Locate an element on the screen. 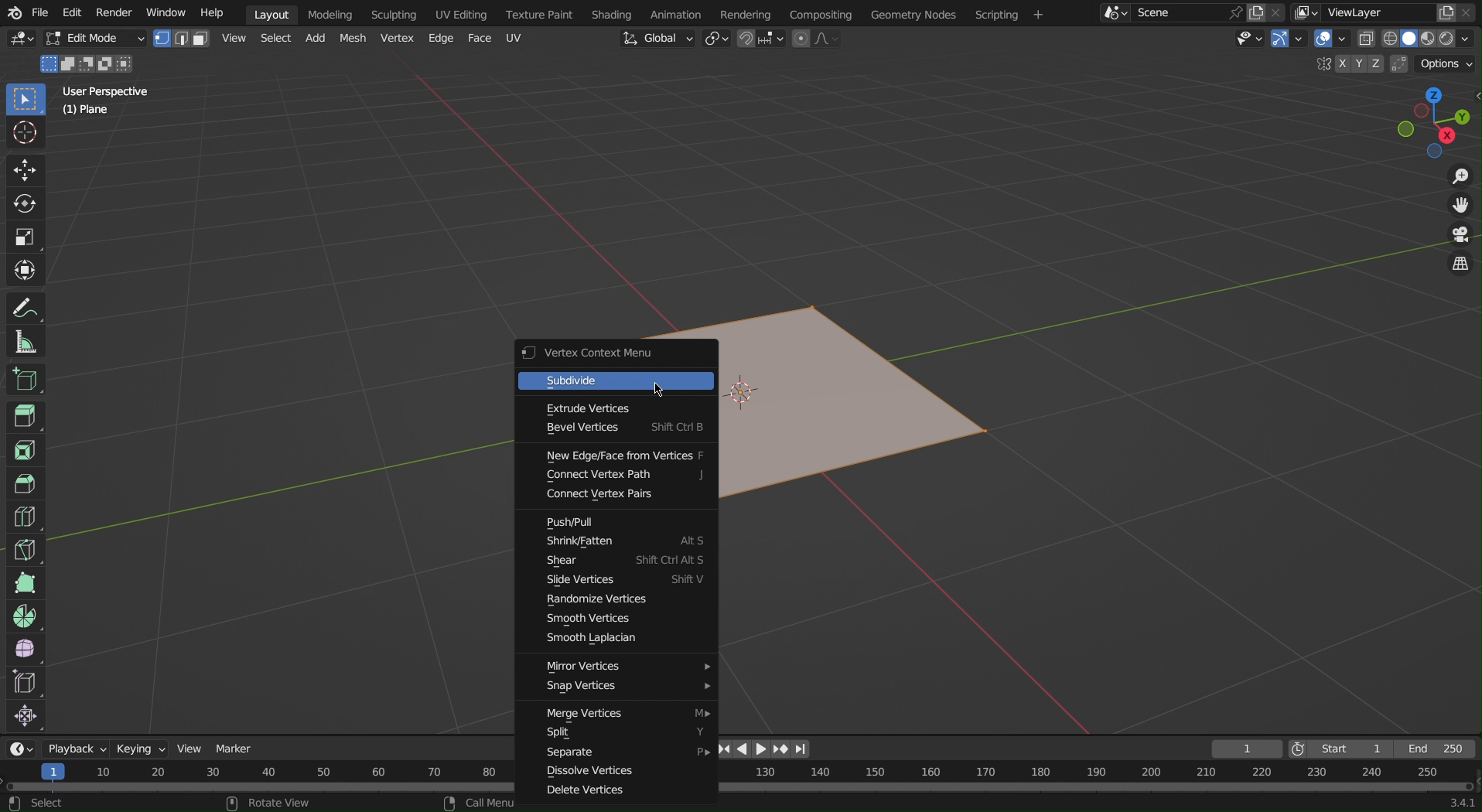  Blender logo is located at coordinates (13, 12).